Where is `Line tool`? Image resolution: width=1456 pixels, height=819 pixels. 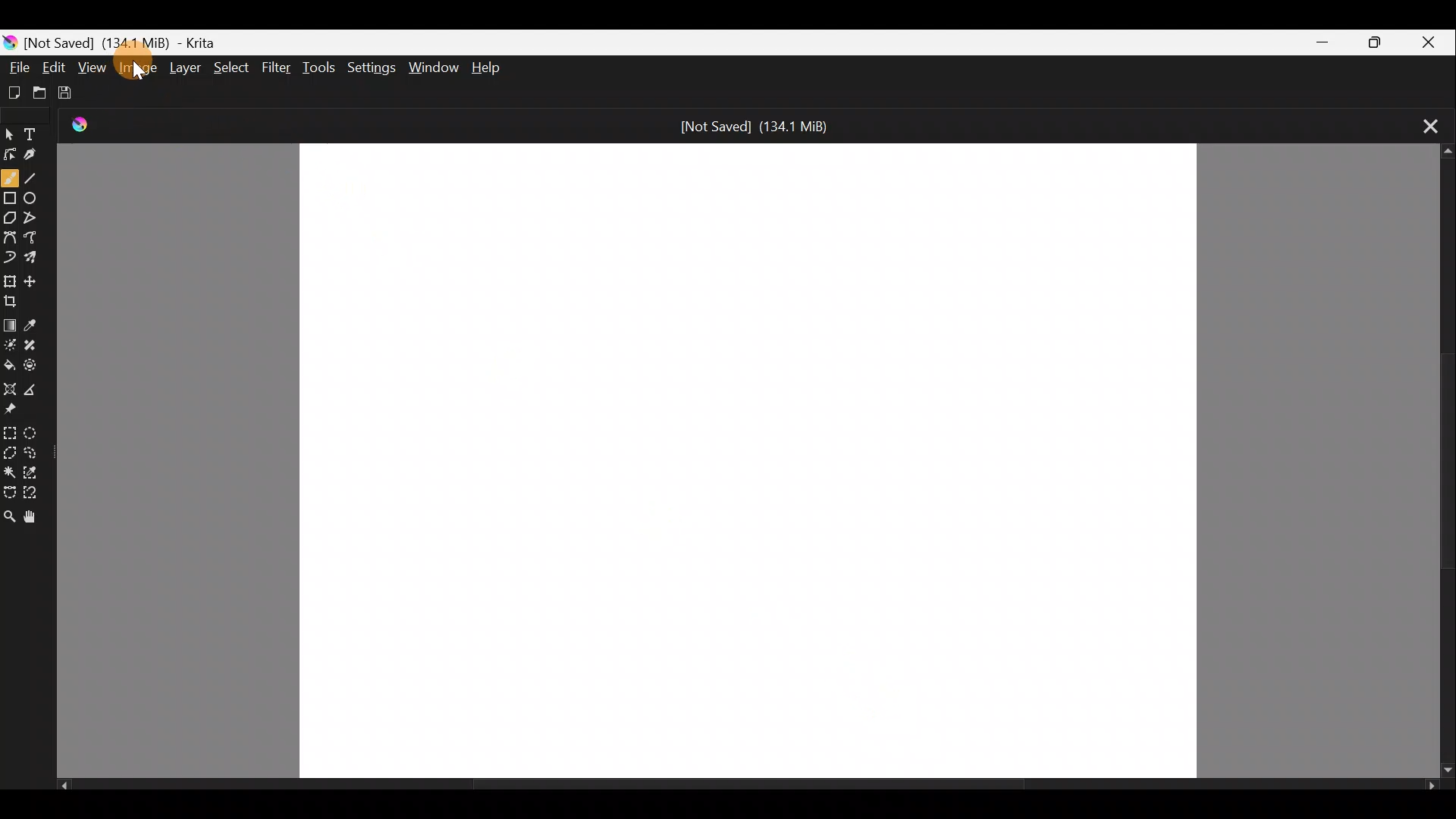 Line tool is located at coordinates (35, 178).